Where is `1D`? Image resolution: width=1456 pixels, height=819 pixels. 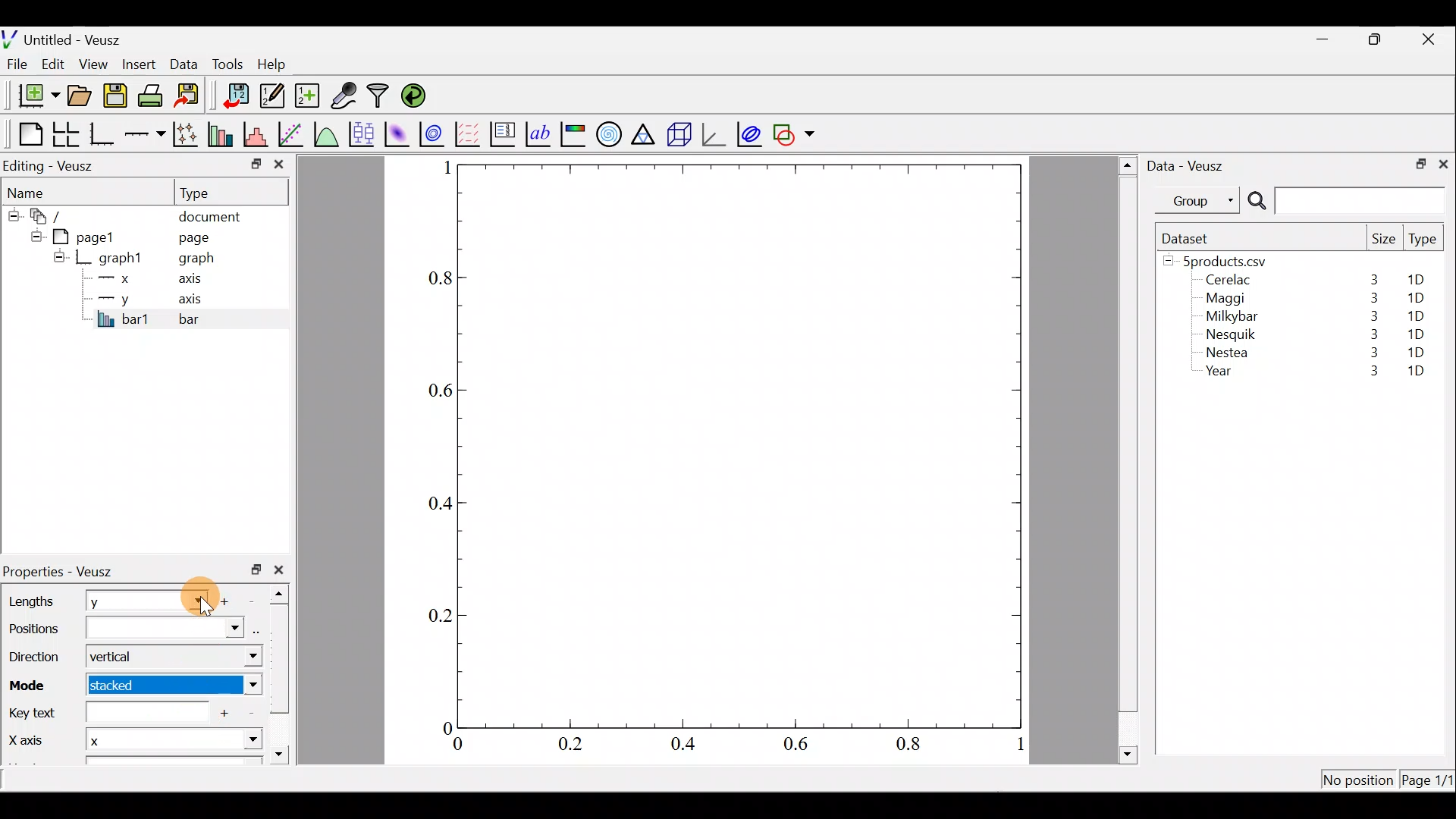
1D is located at coordinates (1415, 298).